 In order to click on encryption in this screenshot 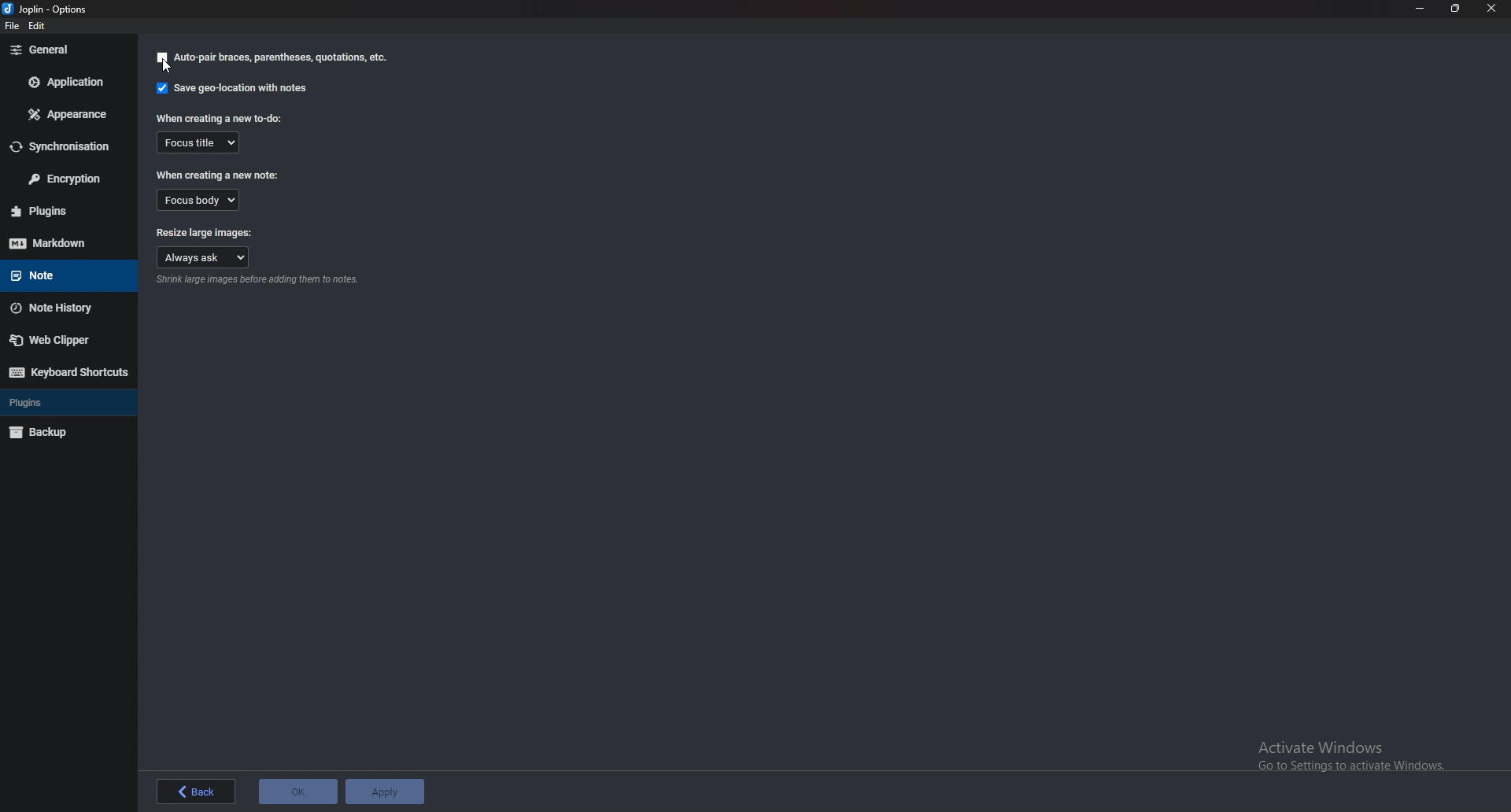, I will do `click(69, 179)`.